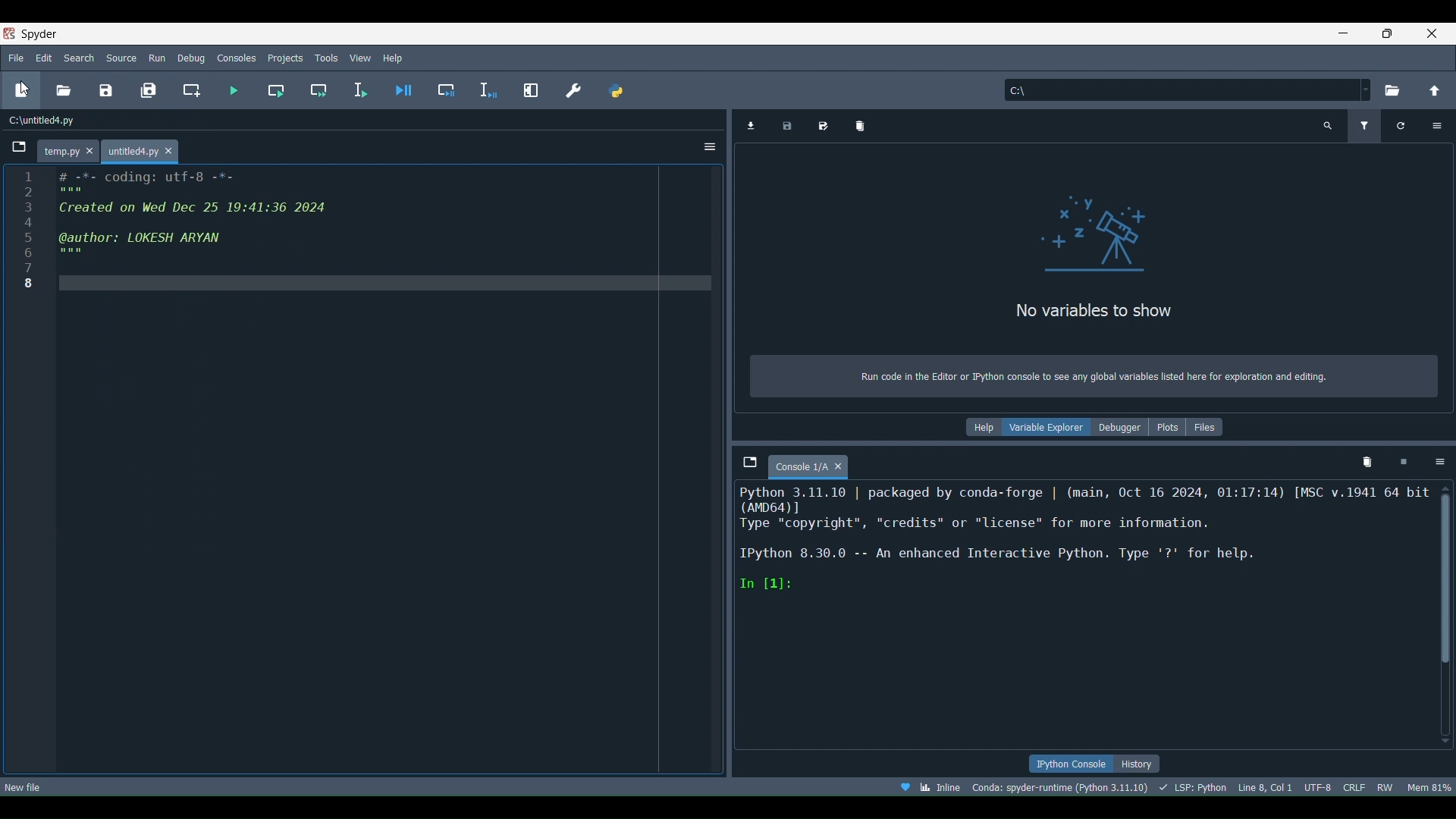 The image size is (1456, 819). What do you see at coordinates (27, 787) in the screenshot?
I see `New file` at bounding box center [27, 787].